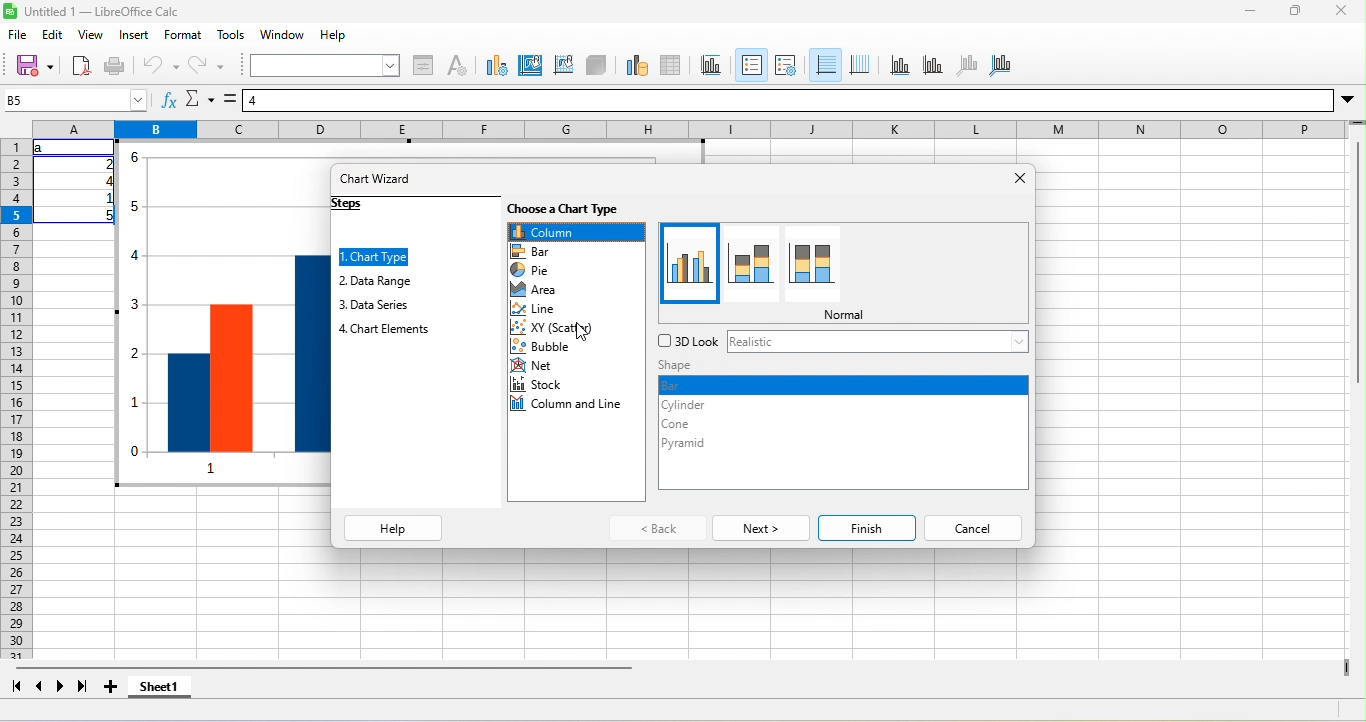 This screenshot has width=1366, height=722. What do you see at coordinates (596, 67) in the screenshot?
I see `3d view` at bounding box center [596, 67].